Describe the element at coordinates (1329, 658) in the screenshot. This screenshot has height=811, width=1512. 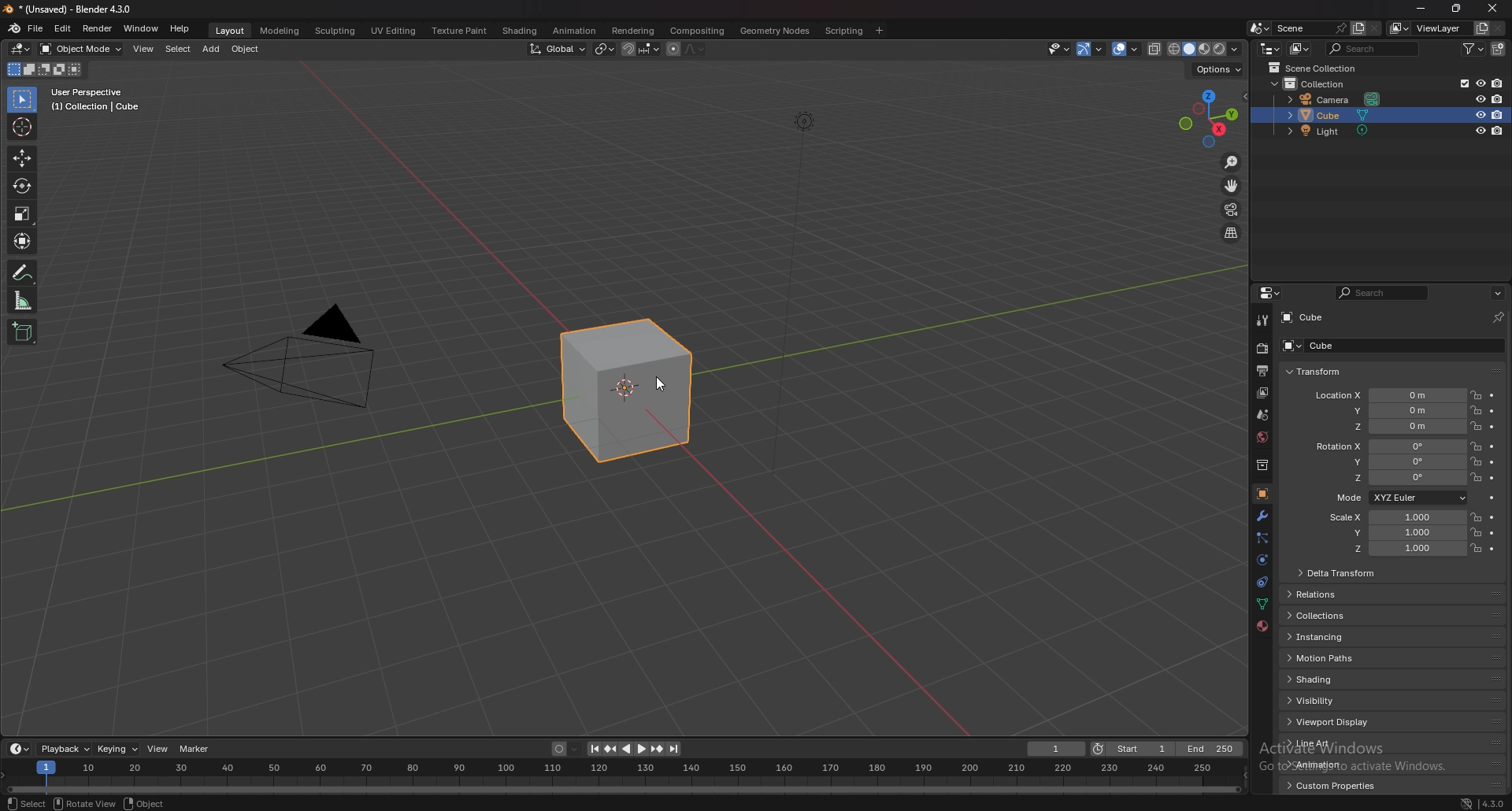
I see `motion paths` at that location.